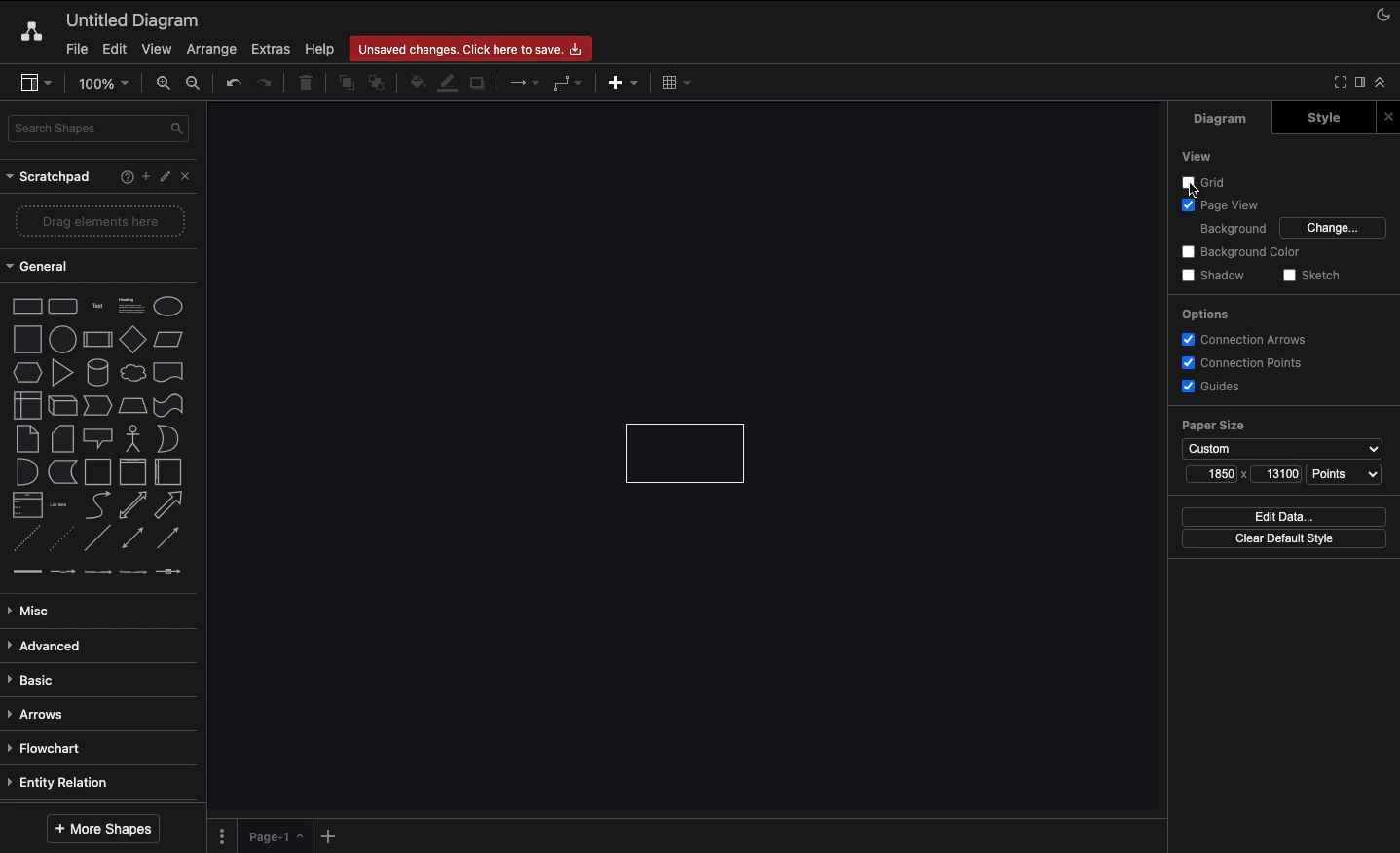 This screenshot has width=1400, height=853. What do you see at coordinates (317, 49) in the screenshot?
I see `Help` at bounding box center [317, 49].